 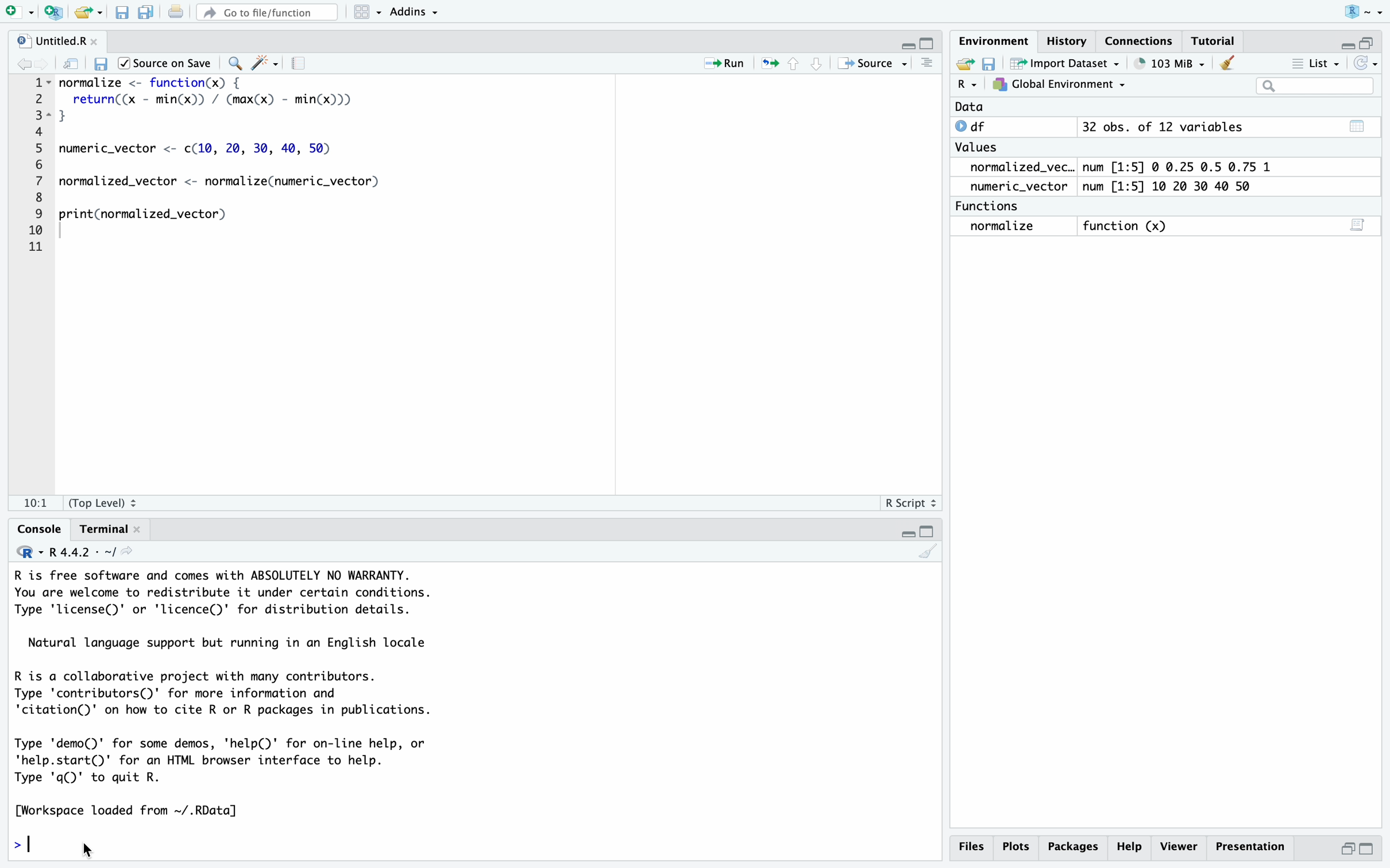 I want to click on R 1s free software and comes with ABSOLUTELY NO WARRANTY.

You are welcome to redistribute it under certain conditions.

Type 'license()' or 'licence()' for distribution details.
Natural language support but running in an English locale

R is a collaborative project with many contributors.

Type 'contributors()' for more information and

'citation()' on how to cite R or R packages in publications.

Type 'demo()' for some demos, 'help()' for on-line help, or

'help.start()' for an HTML browser interface to help.

Type 'q()' to quit R.

[Workspace loaded from ~/.RData], so click(x=267, y=695).